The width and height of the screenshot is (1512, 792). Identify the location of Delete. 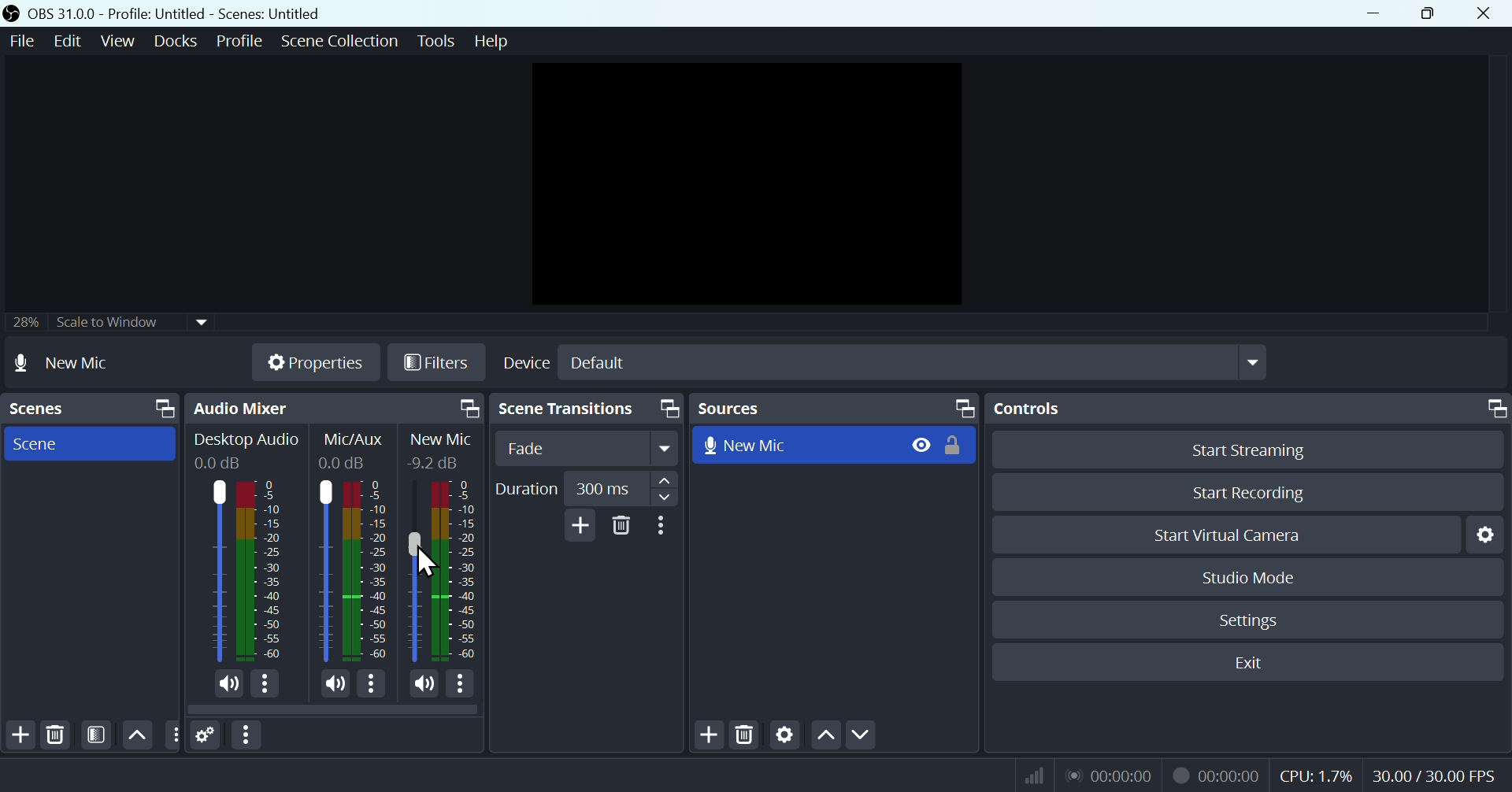
(622, 526).